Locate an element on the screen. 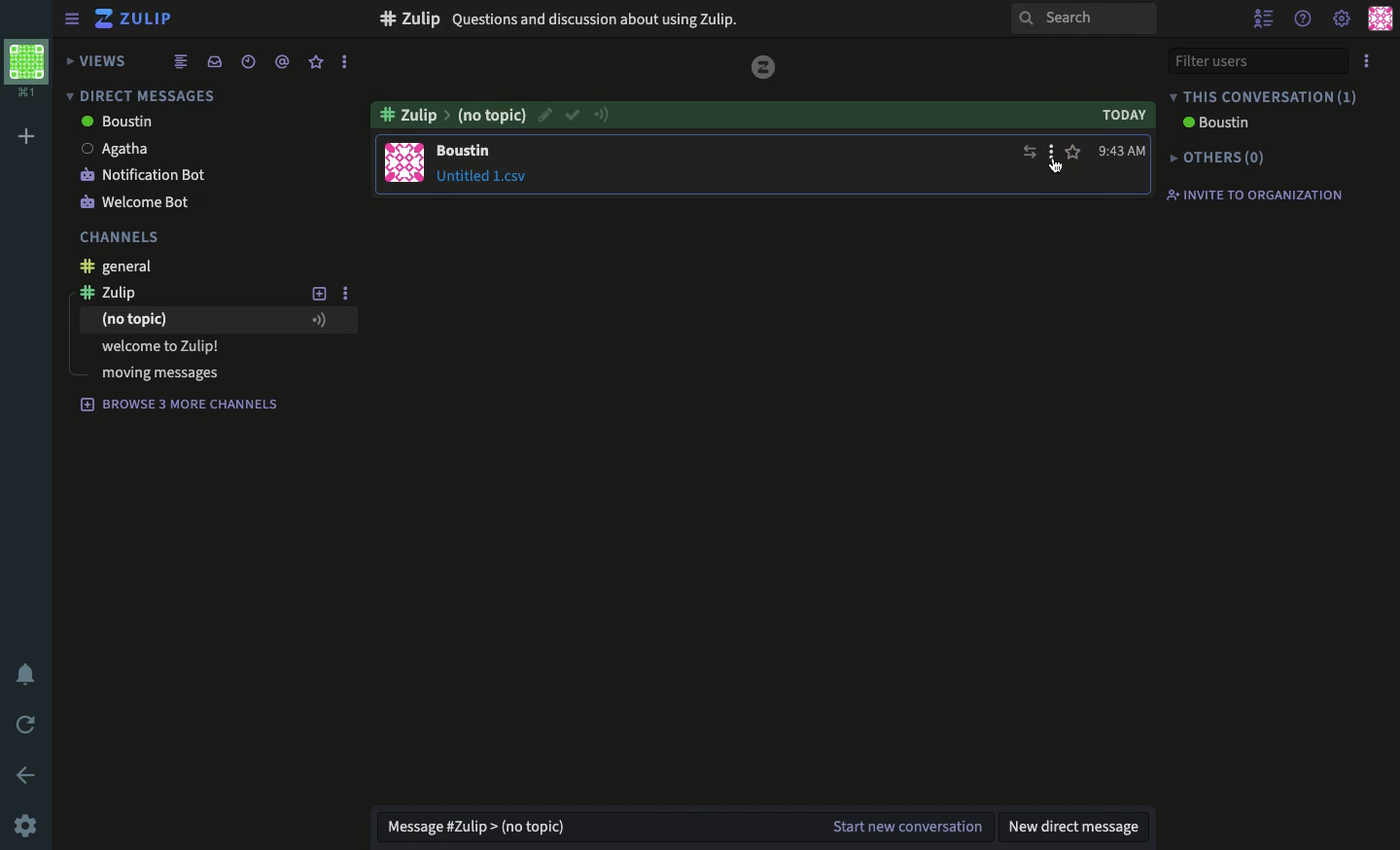 The width and height of the screenshot is (1400, 850). views is located at coordinates (98, 60).